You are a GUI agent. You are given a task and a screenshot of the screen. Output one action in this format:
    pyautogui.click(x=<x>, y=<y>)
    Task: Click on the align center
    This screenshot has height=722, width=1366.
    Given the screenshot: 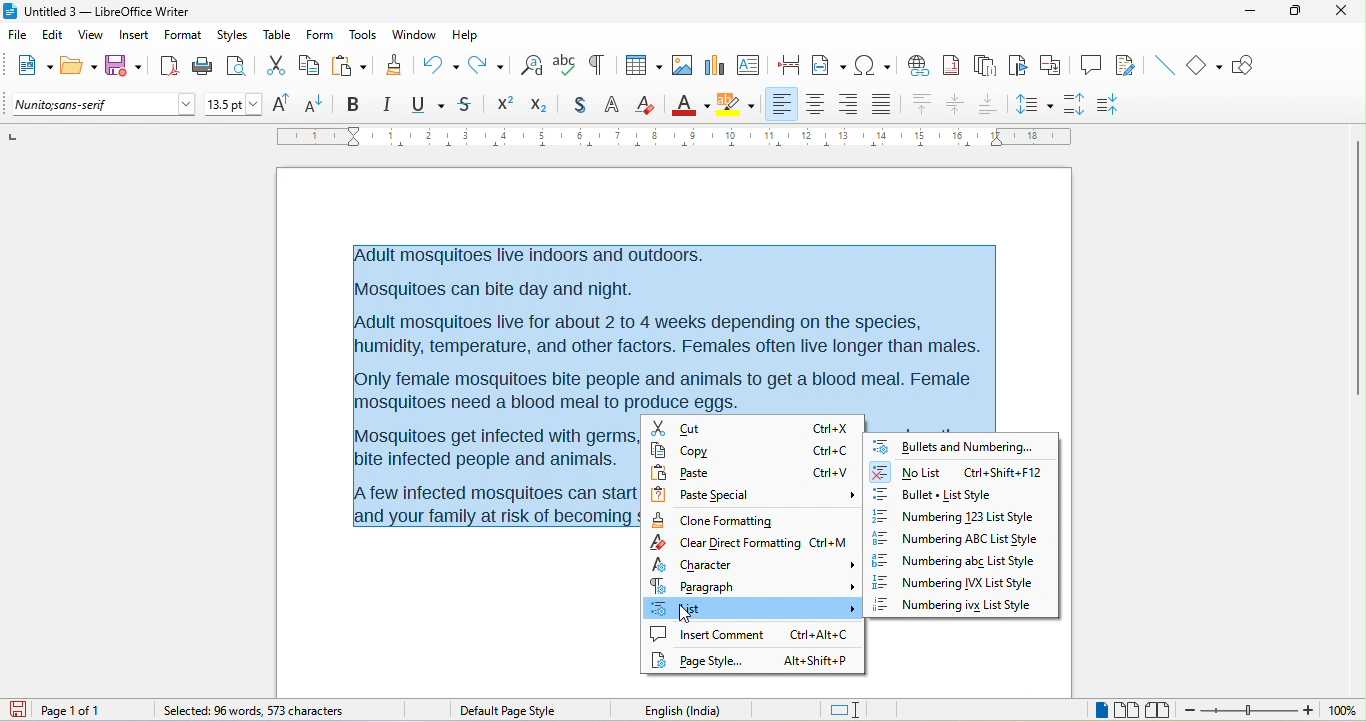 What is the action you would take?
    pyautogui.click(x=815, y=105)
    